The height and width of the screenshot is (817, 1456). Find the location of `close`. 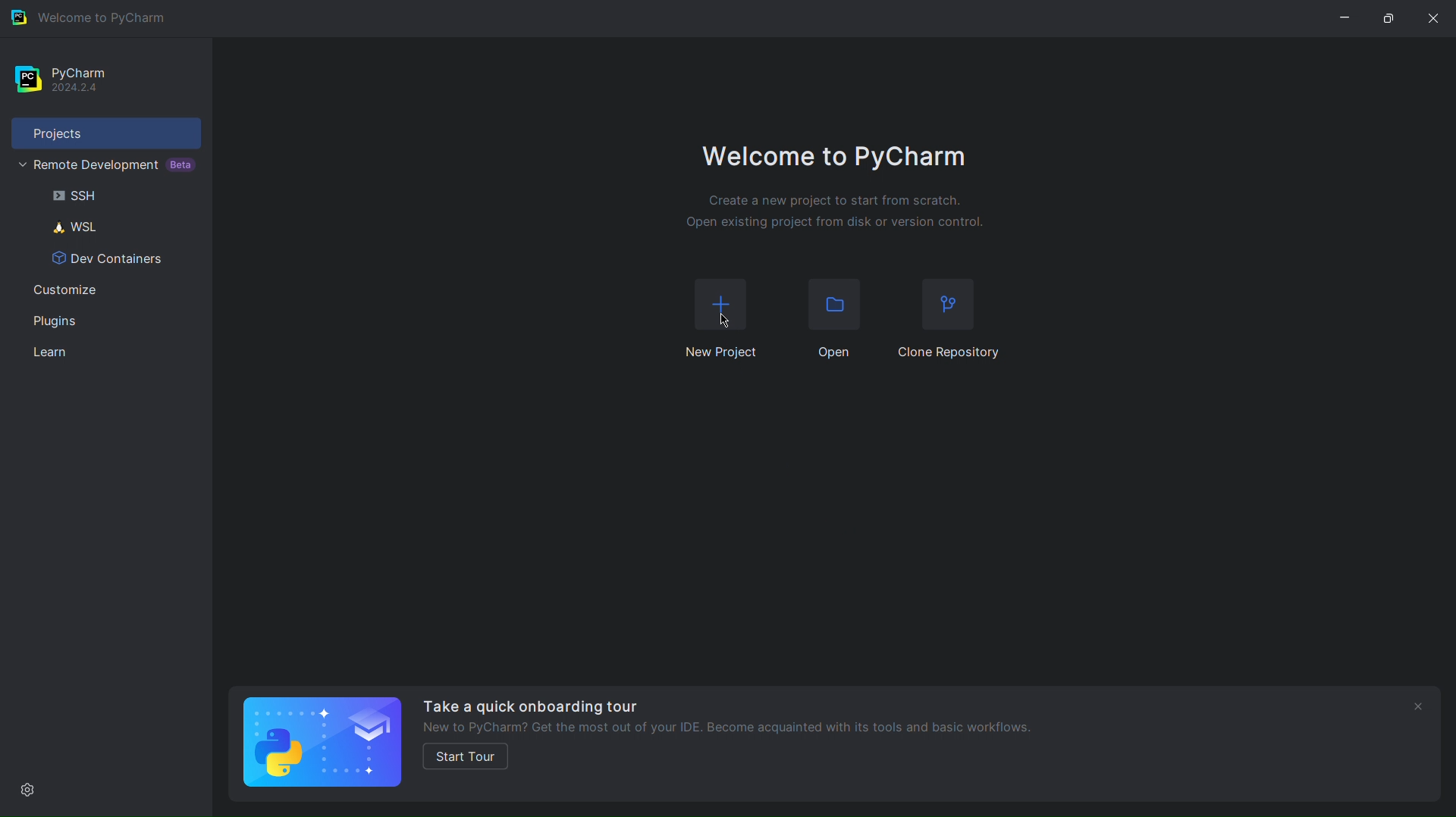

close is located at coordinates (1416, 704).